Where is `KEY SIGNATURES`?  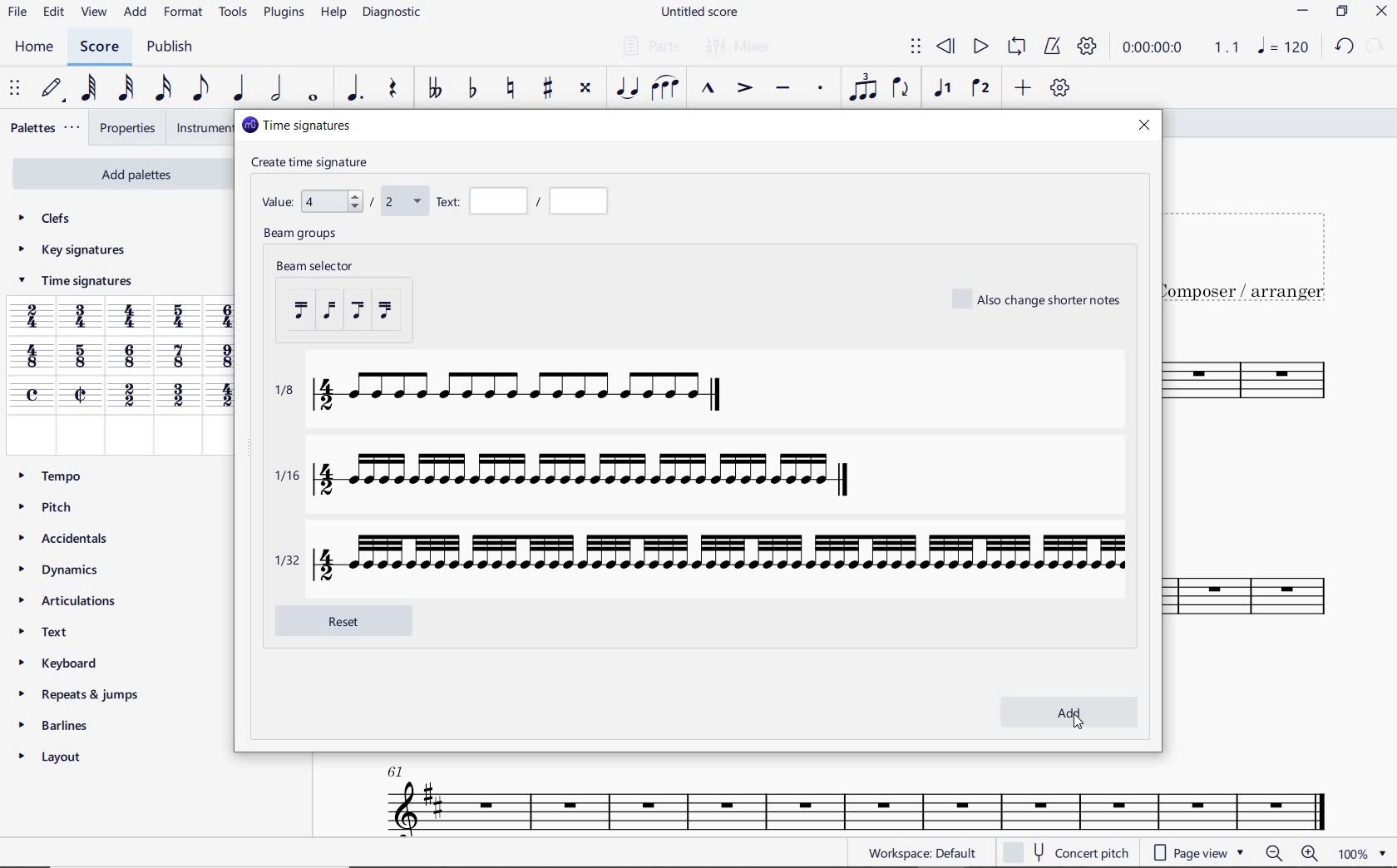
KEY SIGNATURES is located at coordinates (72, 250).